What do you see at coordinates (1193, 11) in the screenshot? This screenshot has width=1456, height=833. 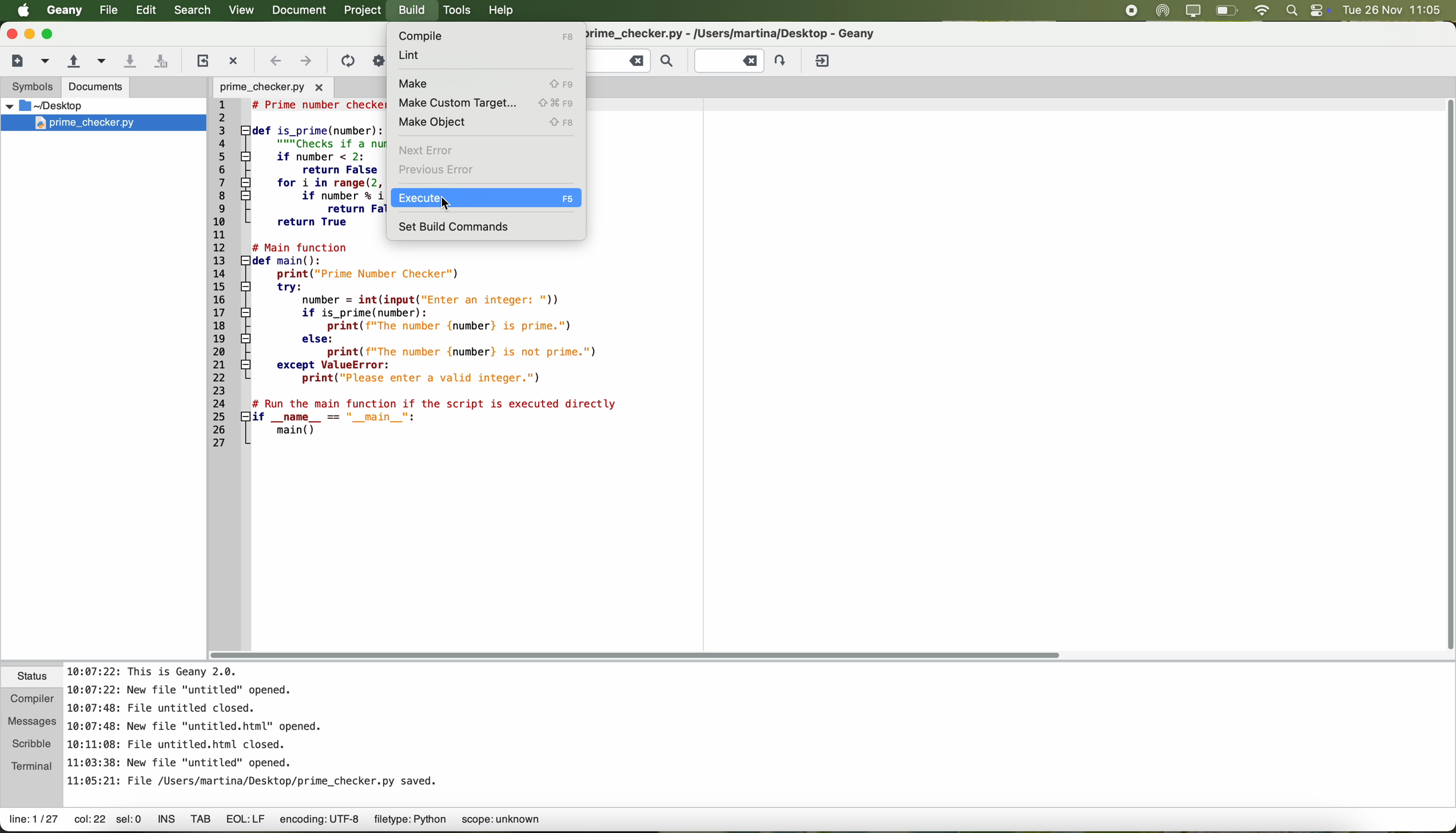 I see `screen` at bounding box center [1193, 11].